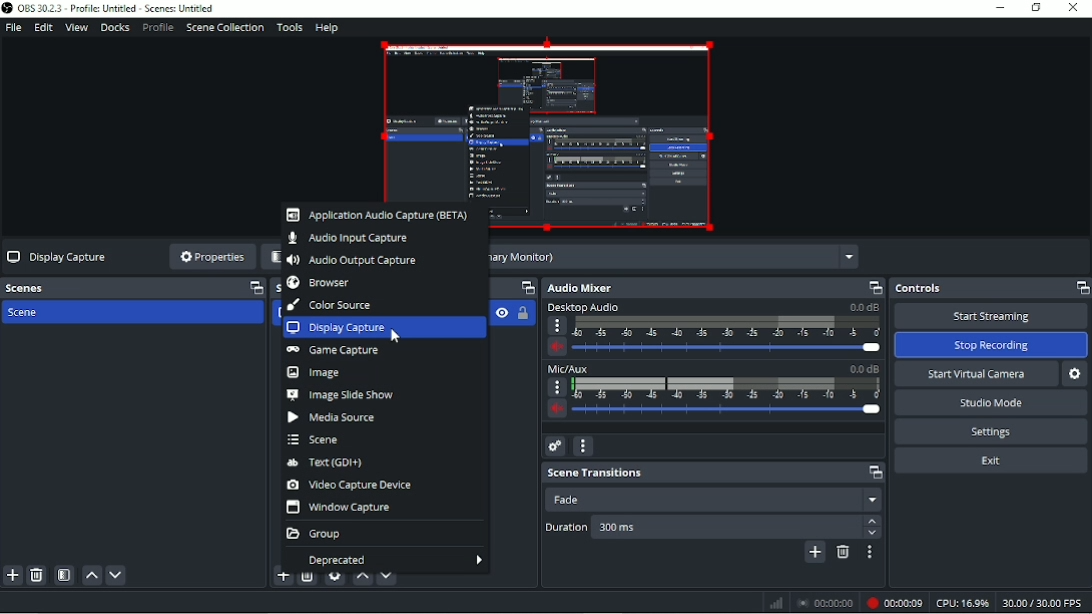 This screenshot has width=1092, height=614. Describe the element at coordinates (57, 257) in the screenshot. I see `Display capture` at that location.